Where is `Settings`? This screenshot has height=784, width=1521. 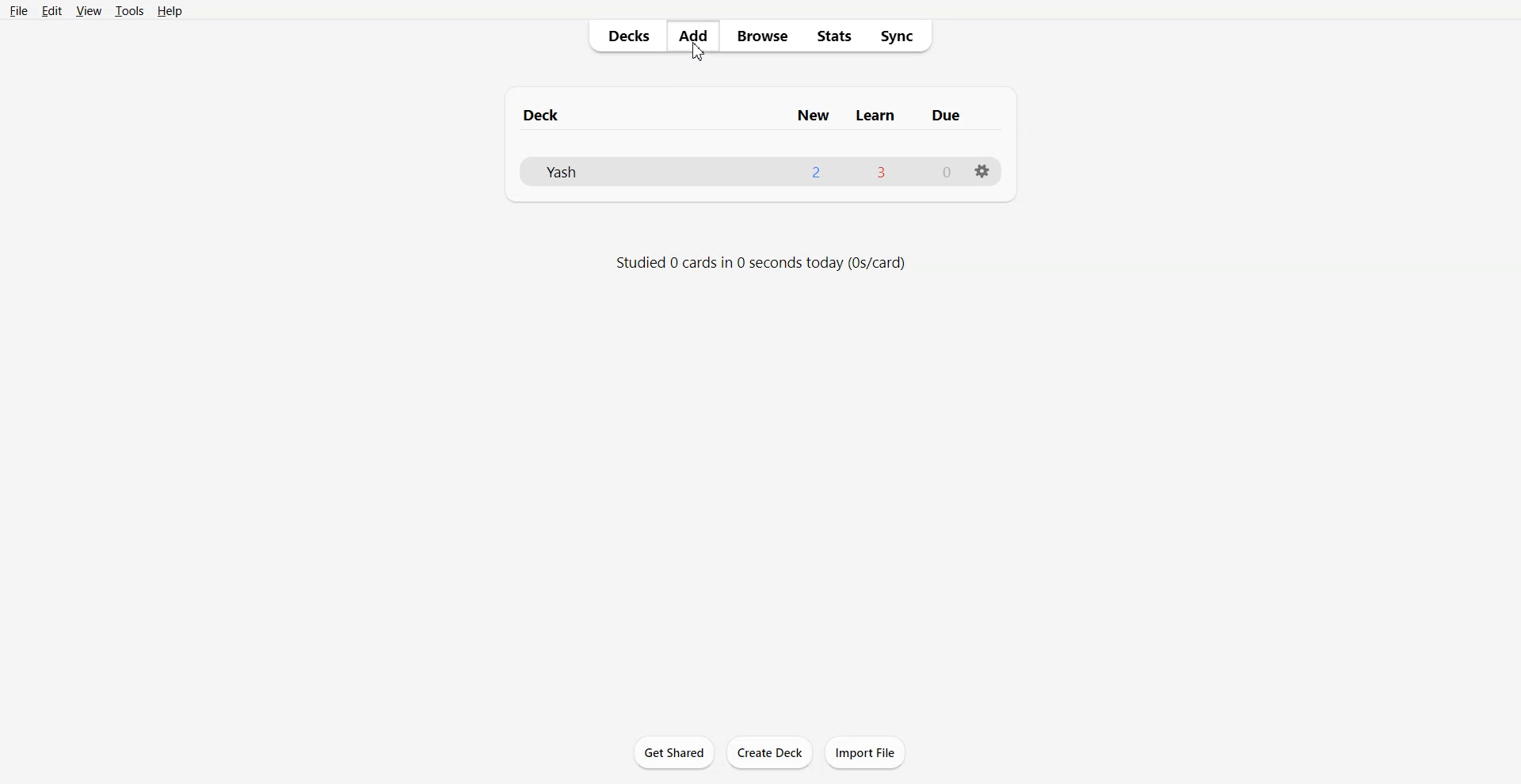
Settings is located at coordinates (982, 172).